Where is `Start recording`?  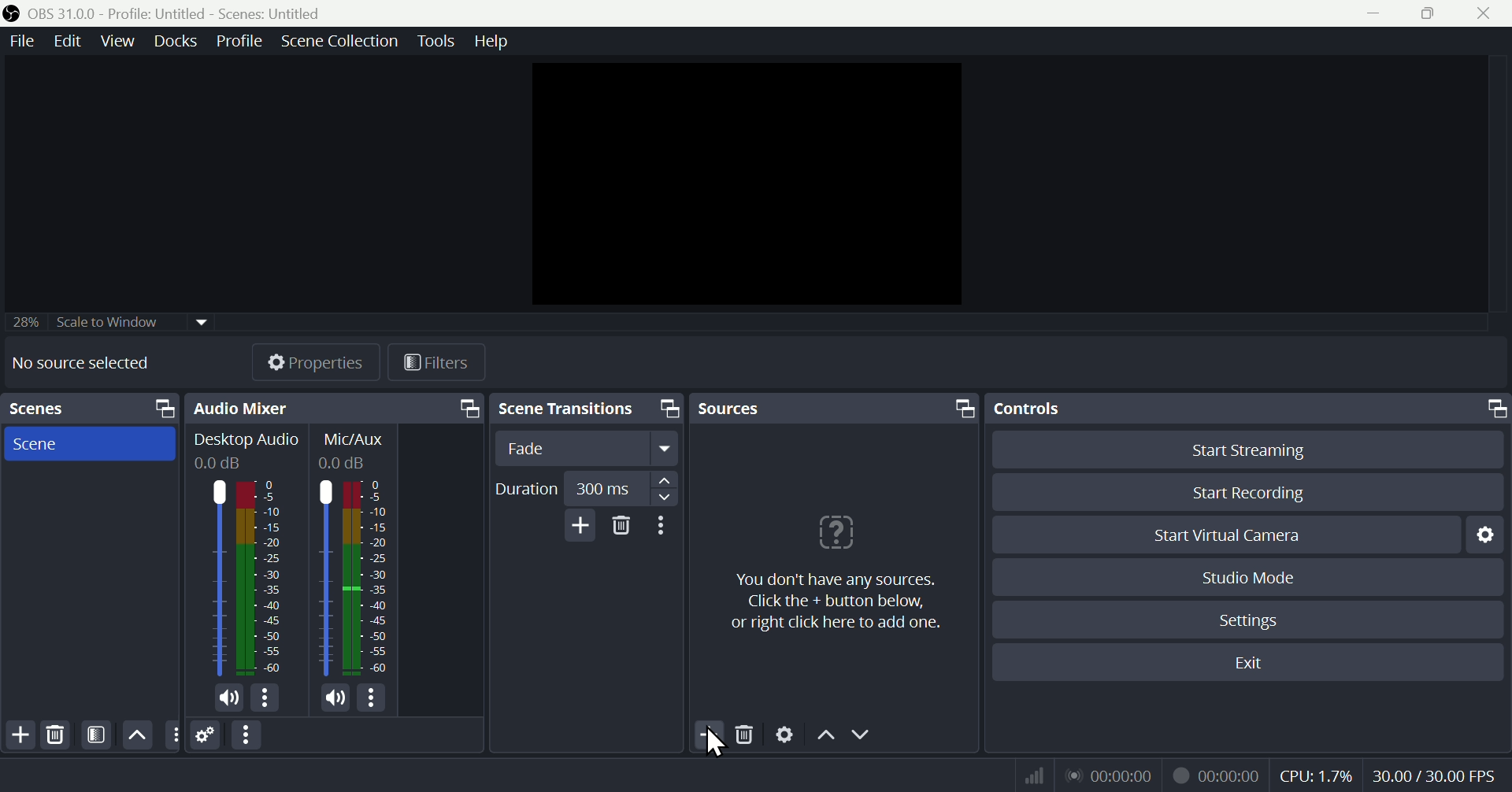 Start recording is located at coordinates (1251, 492).